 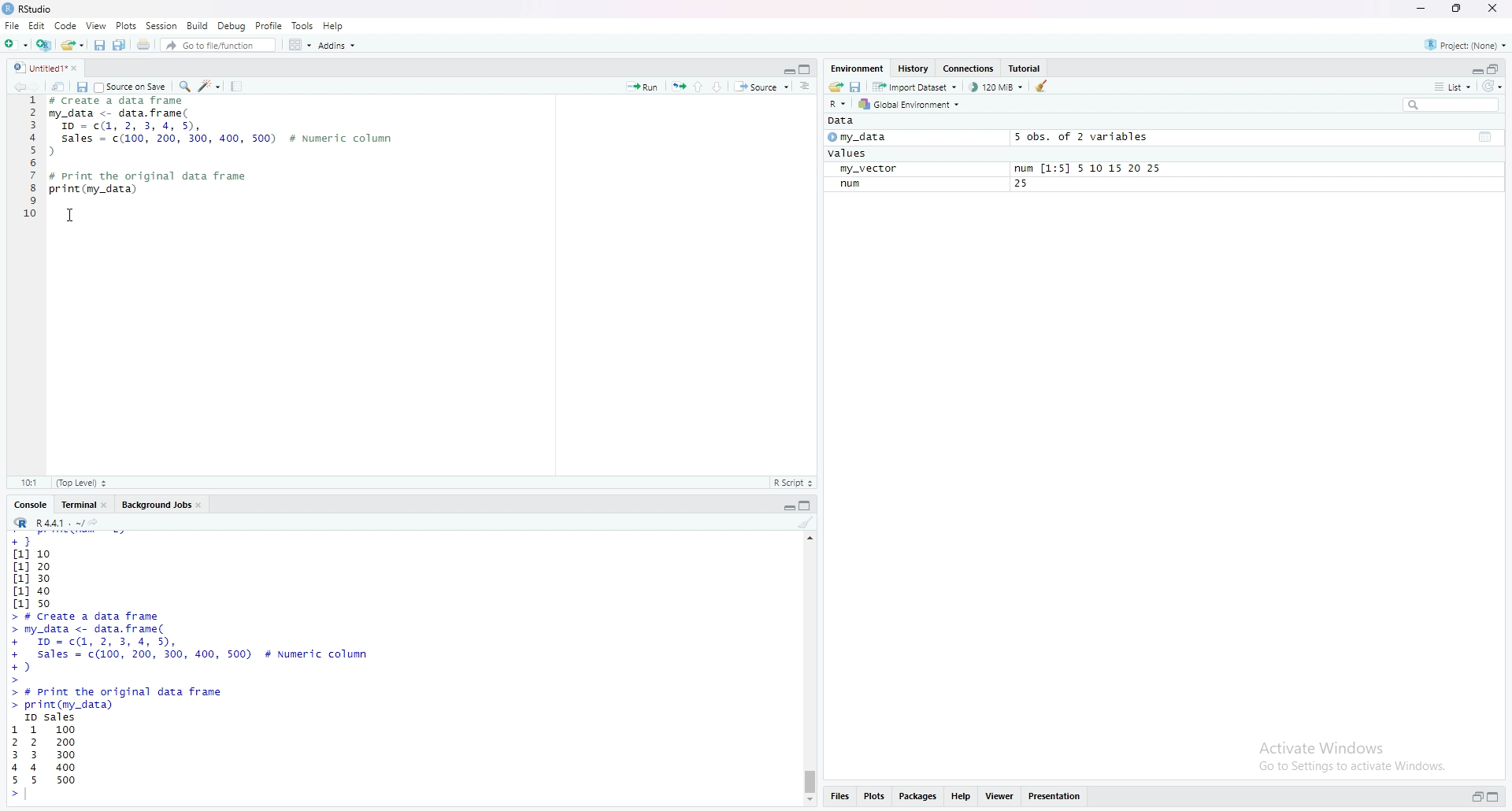 I want to click on Plots, so click(x=121, y=26).